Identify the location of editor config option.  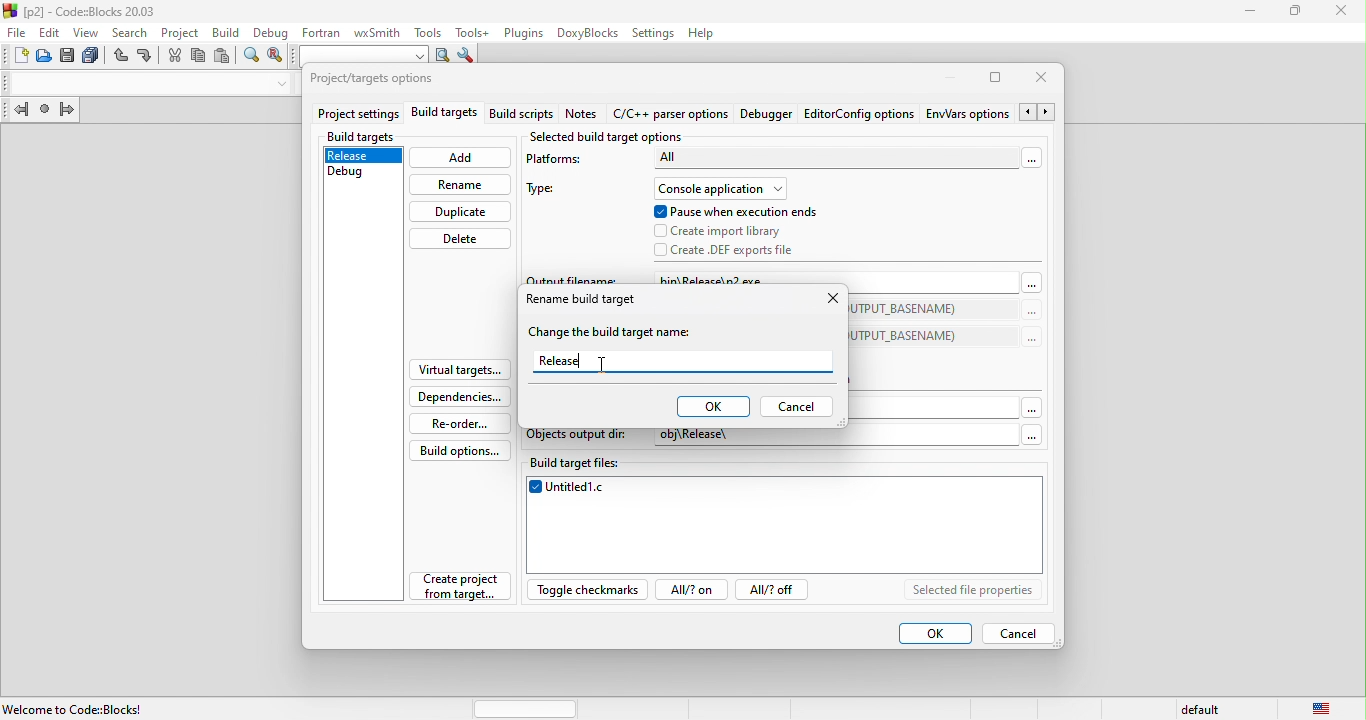
(858, 114).